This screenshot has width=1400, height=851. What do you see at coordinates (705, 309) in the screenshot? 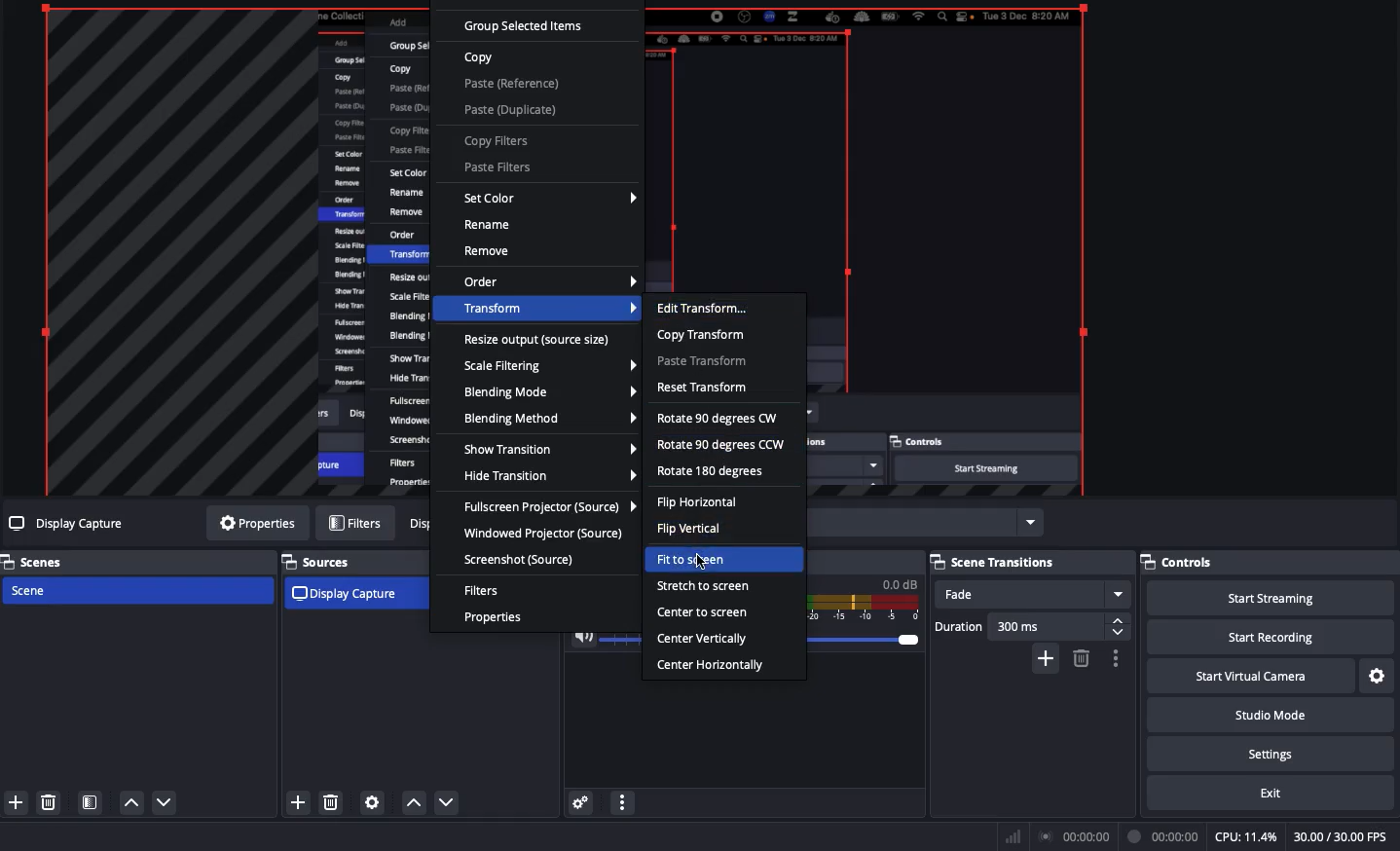
I see `edit transform` at bounding box center [705, 309].